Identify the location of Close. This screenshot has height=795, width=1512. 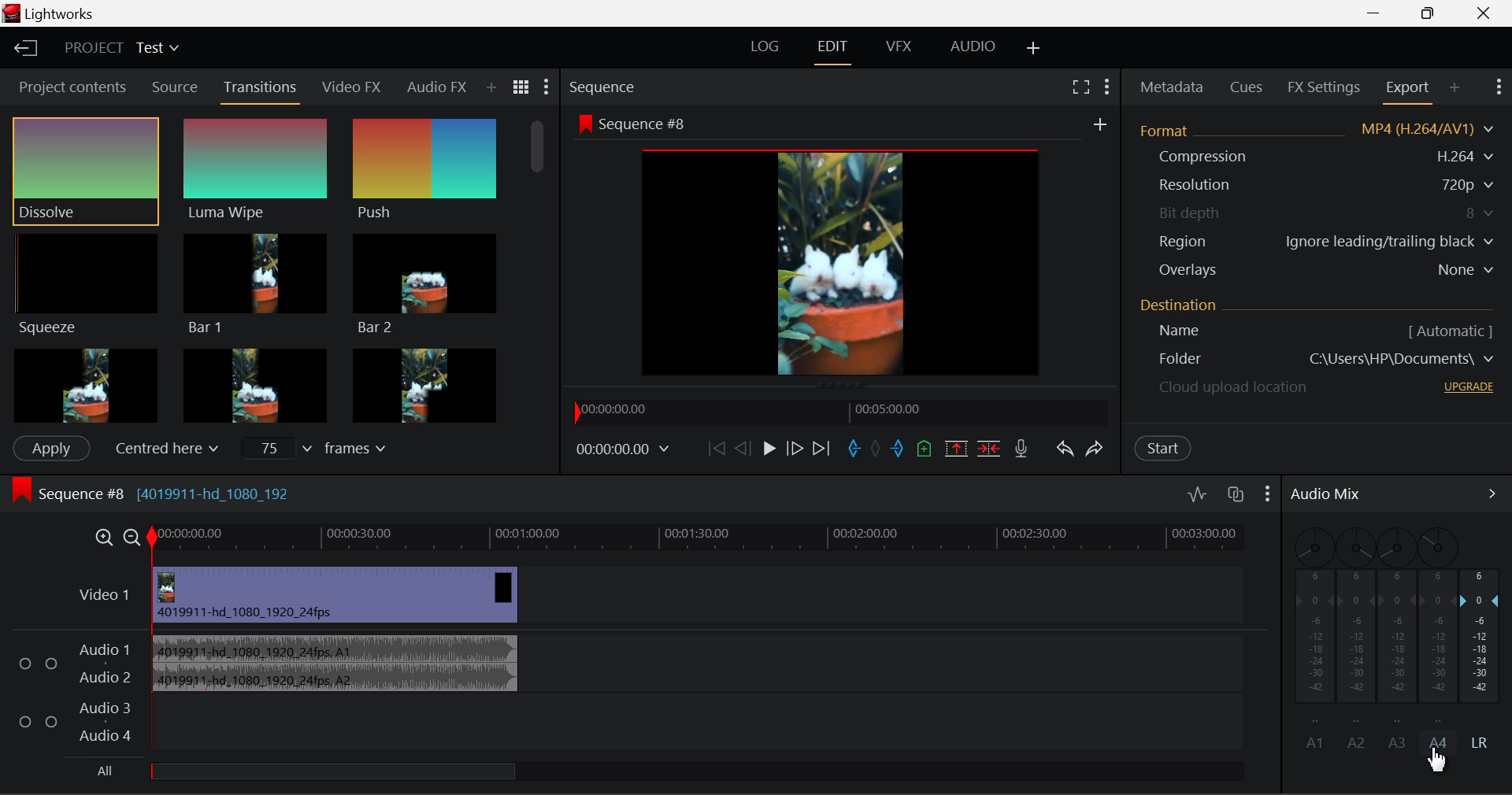
(1485, 13).